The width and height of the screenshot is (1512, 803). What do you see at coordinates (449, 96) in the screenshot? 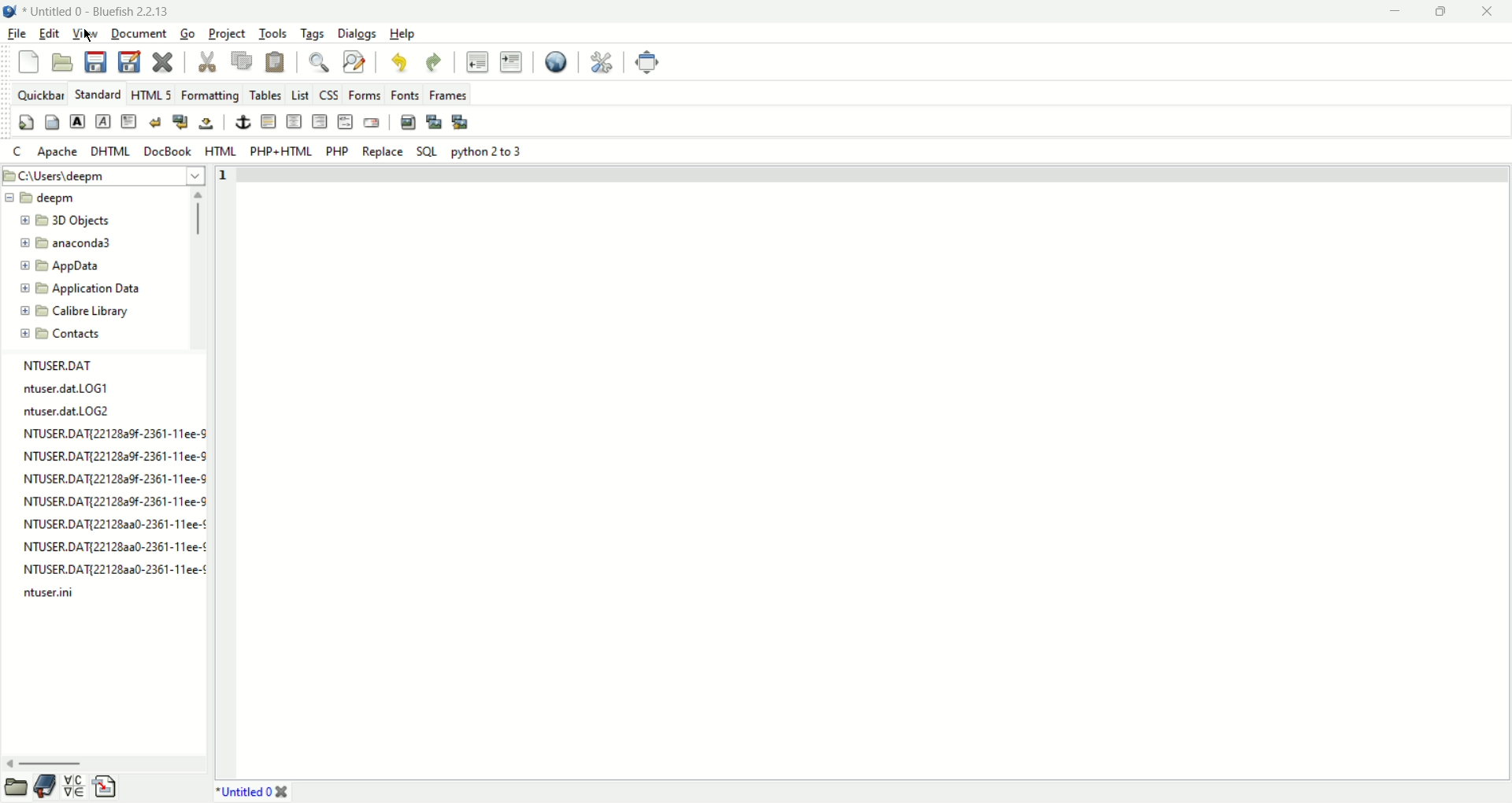
I see `frames` at bounding box center [449, 96].